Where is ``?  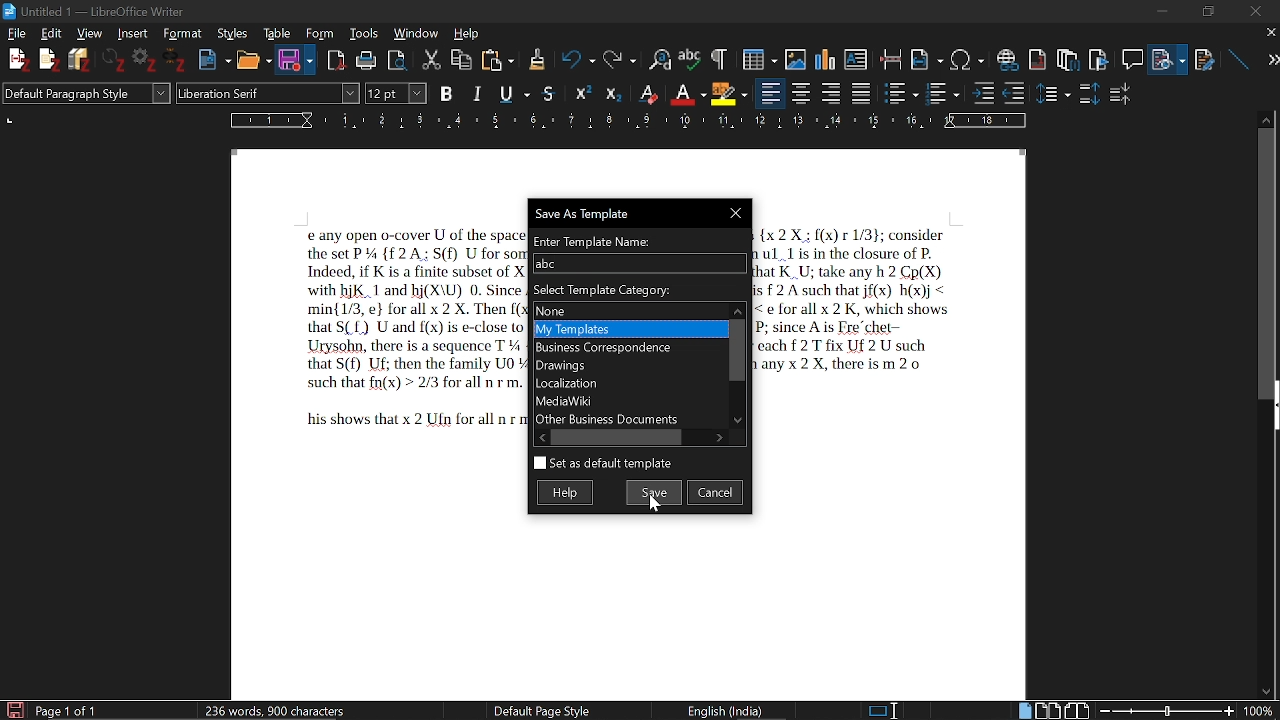
 is located at coordinates (1055, 93).